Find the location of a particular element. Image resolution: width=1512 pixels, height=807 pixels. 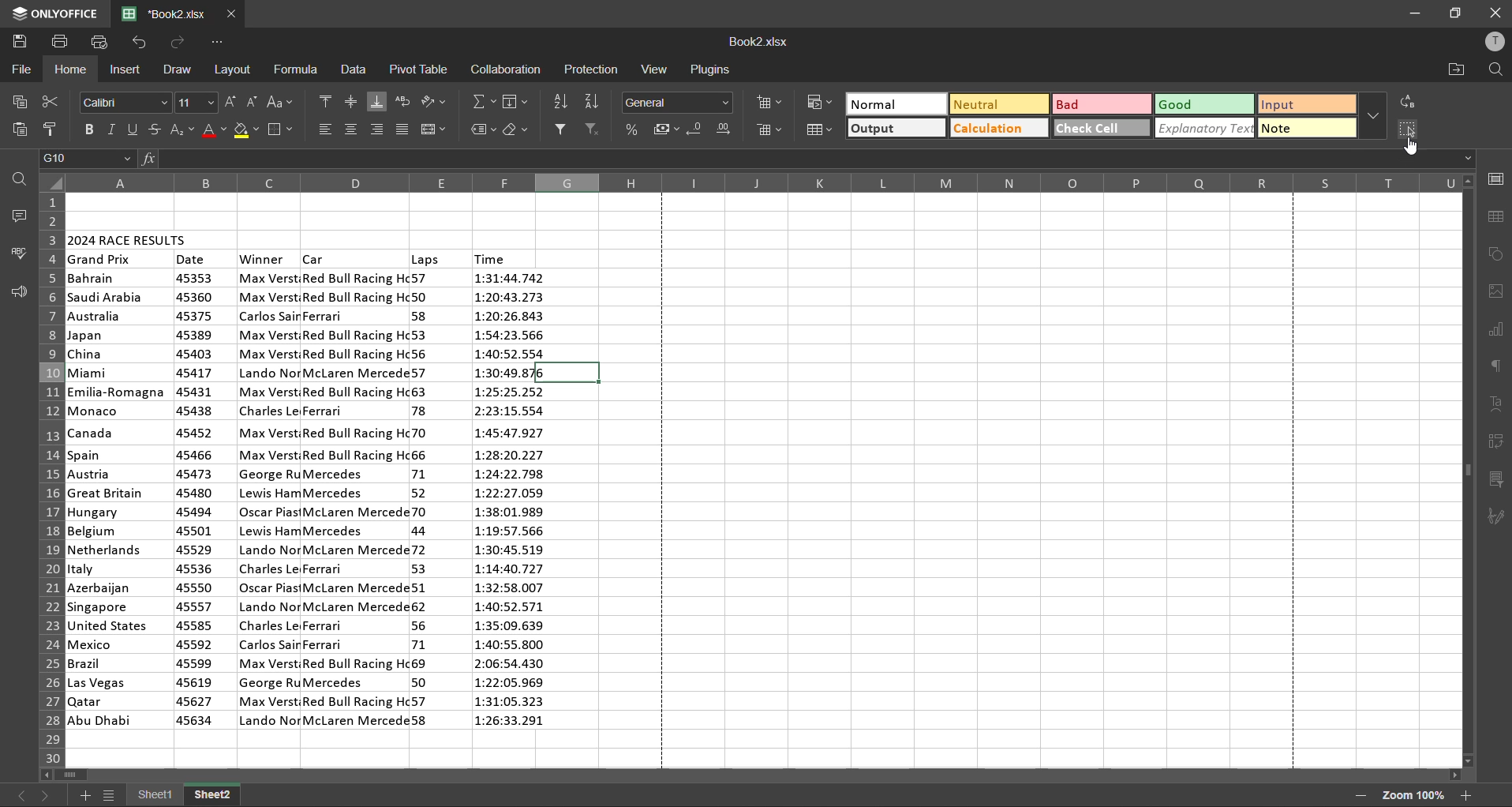

zoom factor is located at coordinates (1415, 795).